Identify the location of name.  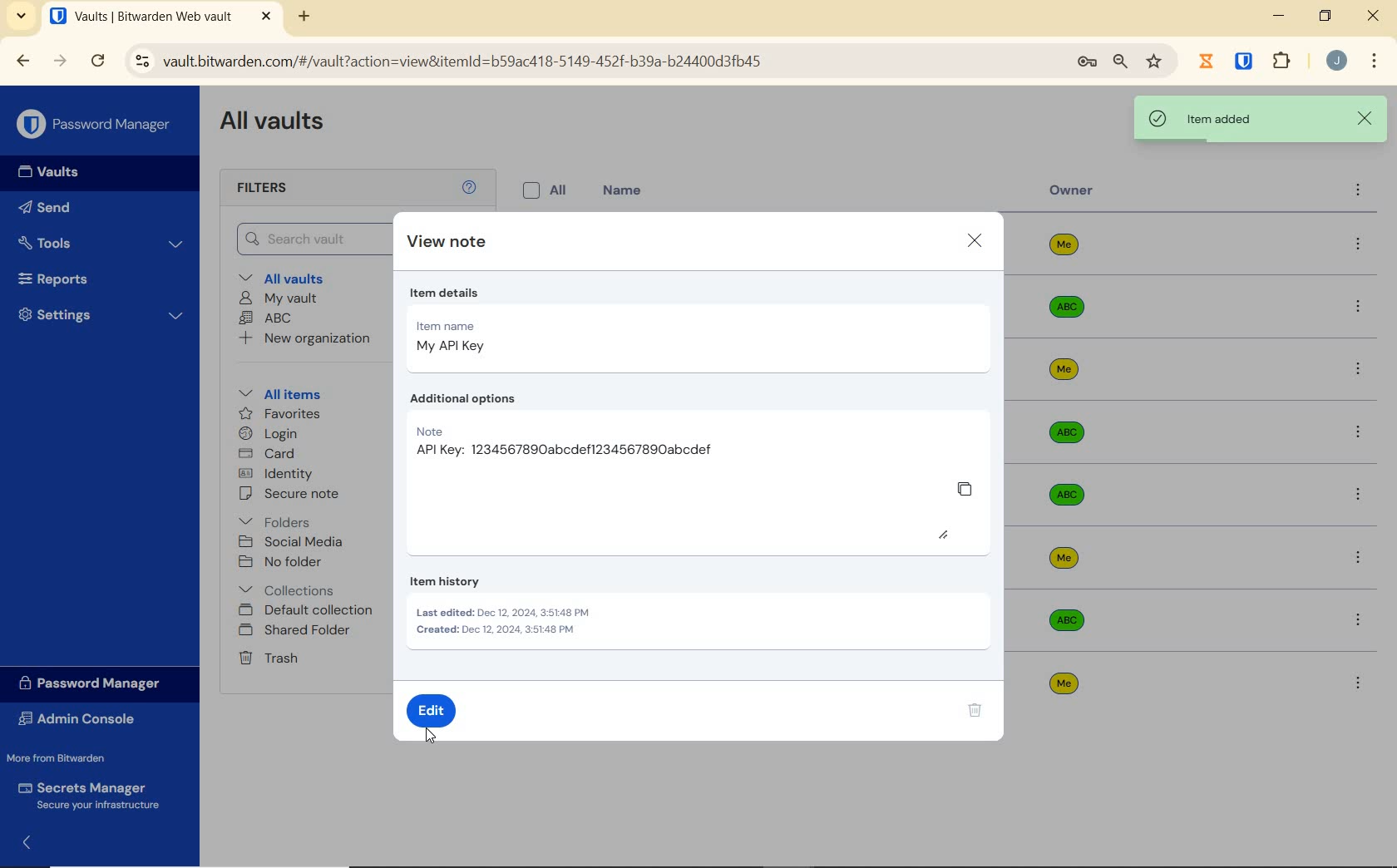
(624, 190).